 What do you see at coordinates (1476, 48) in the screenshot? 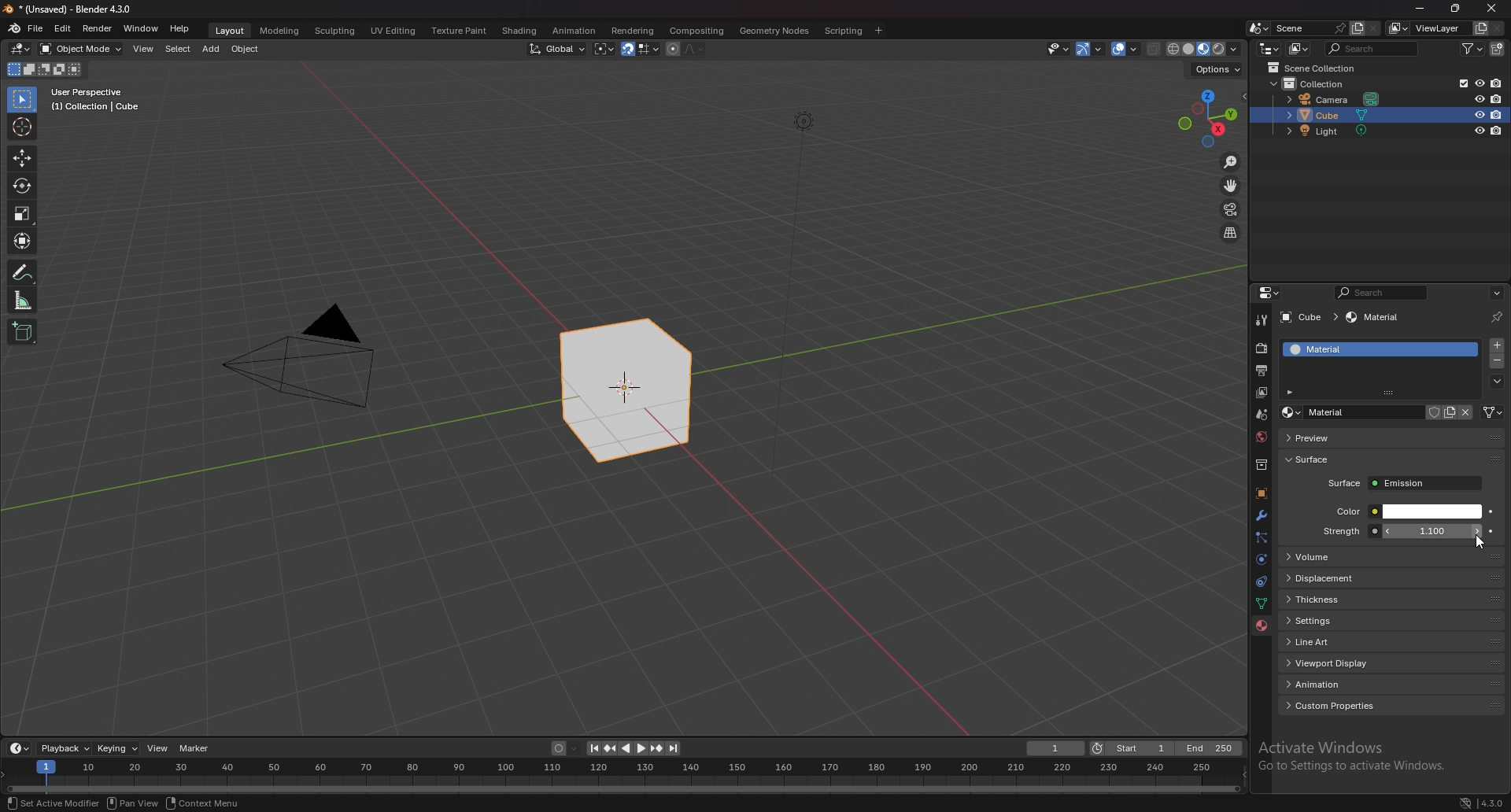
I see `filter` at bounding box center [1476, 48].